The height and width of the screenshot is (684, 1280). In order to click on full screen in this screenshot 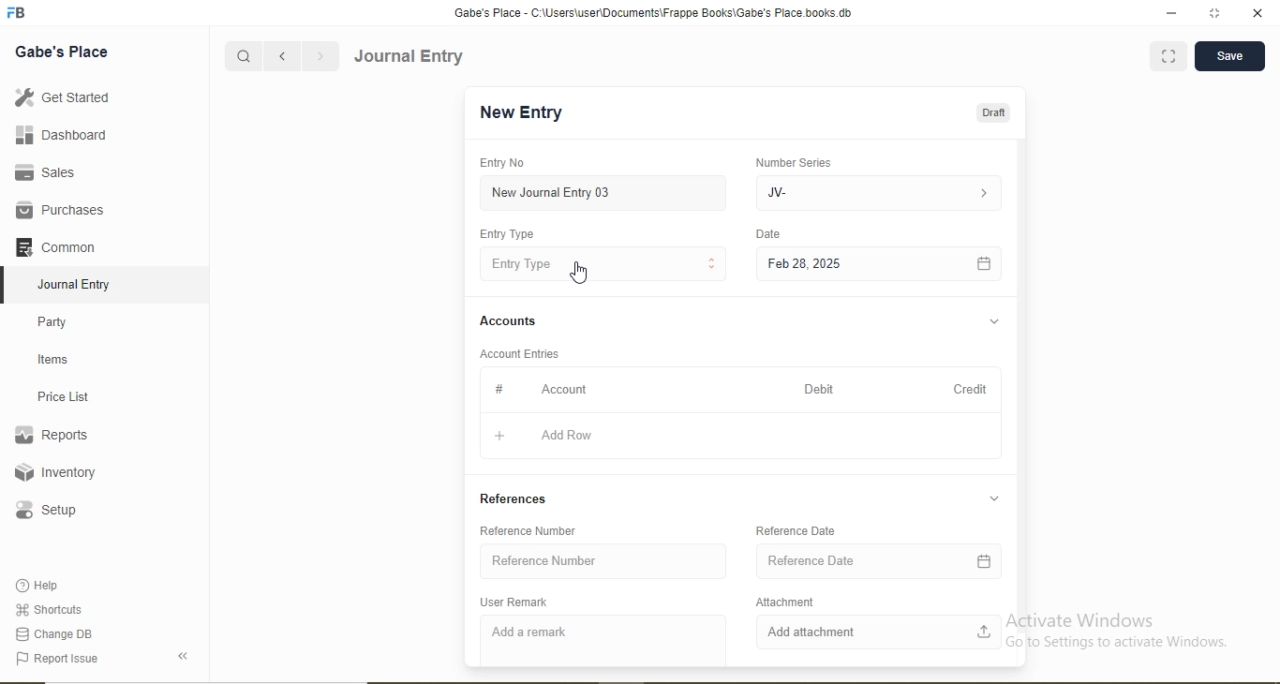, I will do `click(1215, 13)`.